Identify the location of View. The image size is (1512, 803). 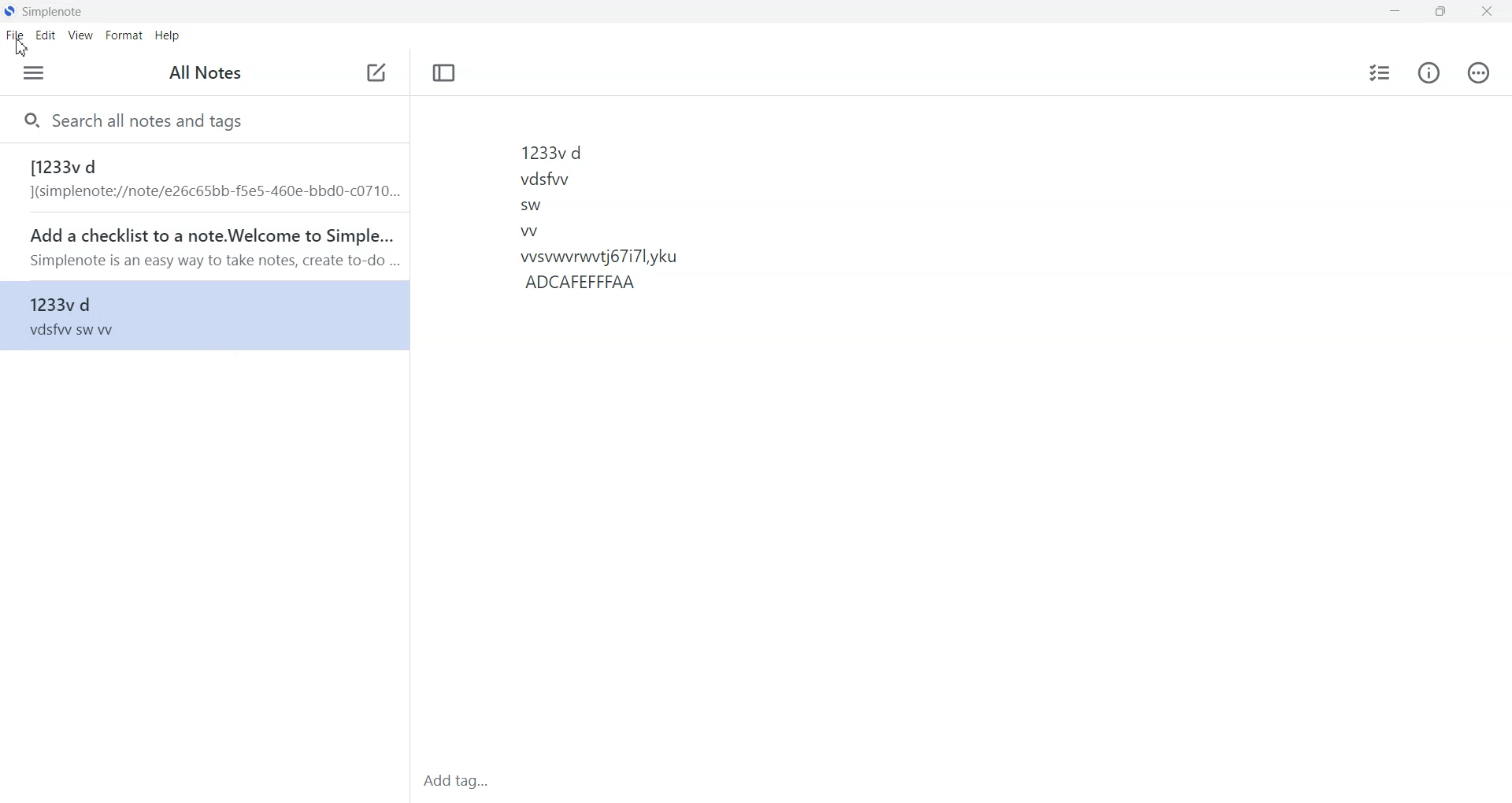
(80, 35).